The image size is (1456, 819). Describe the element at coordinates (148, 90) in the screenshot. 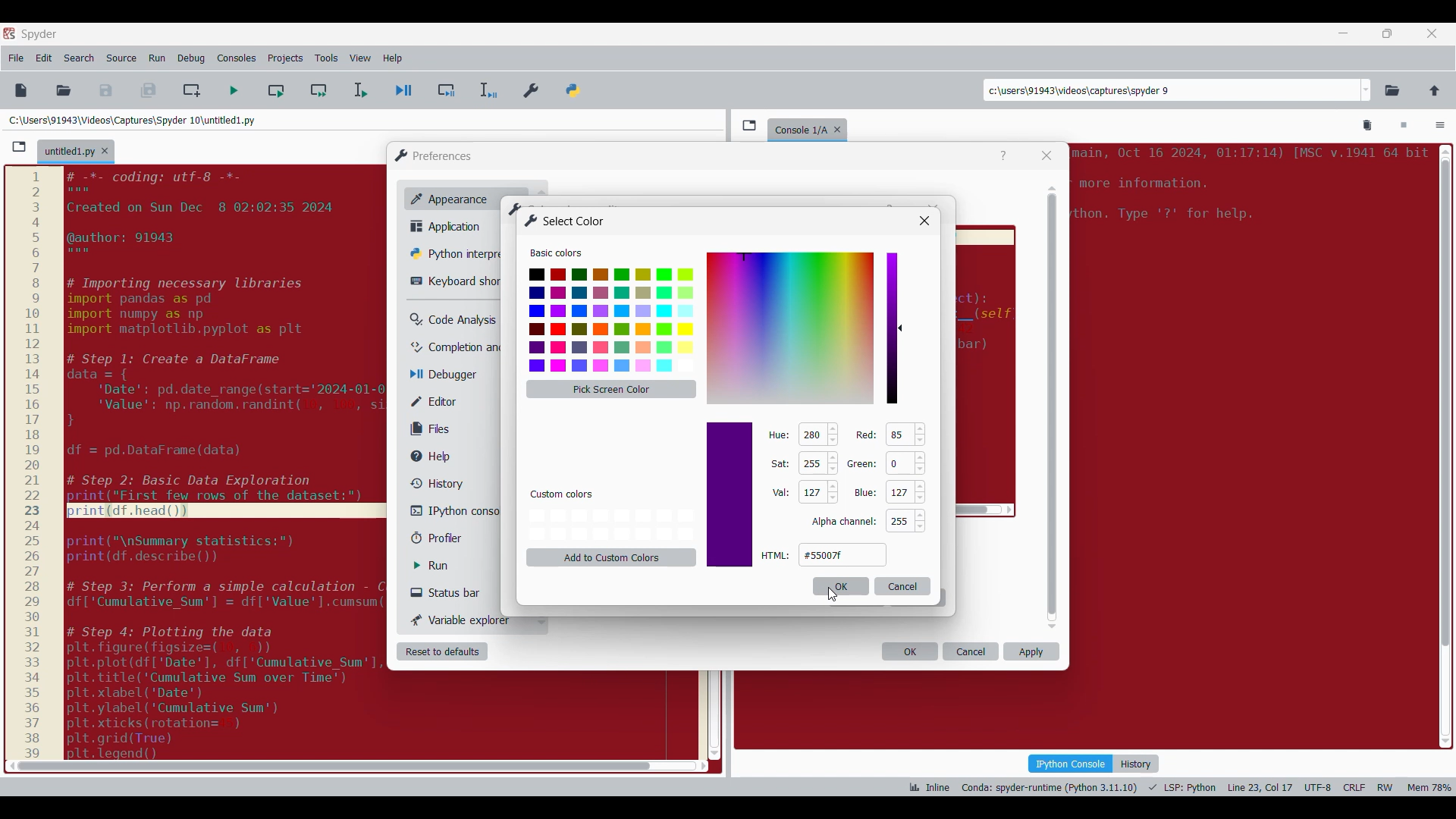

I see `Save all files` at that location.